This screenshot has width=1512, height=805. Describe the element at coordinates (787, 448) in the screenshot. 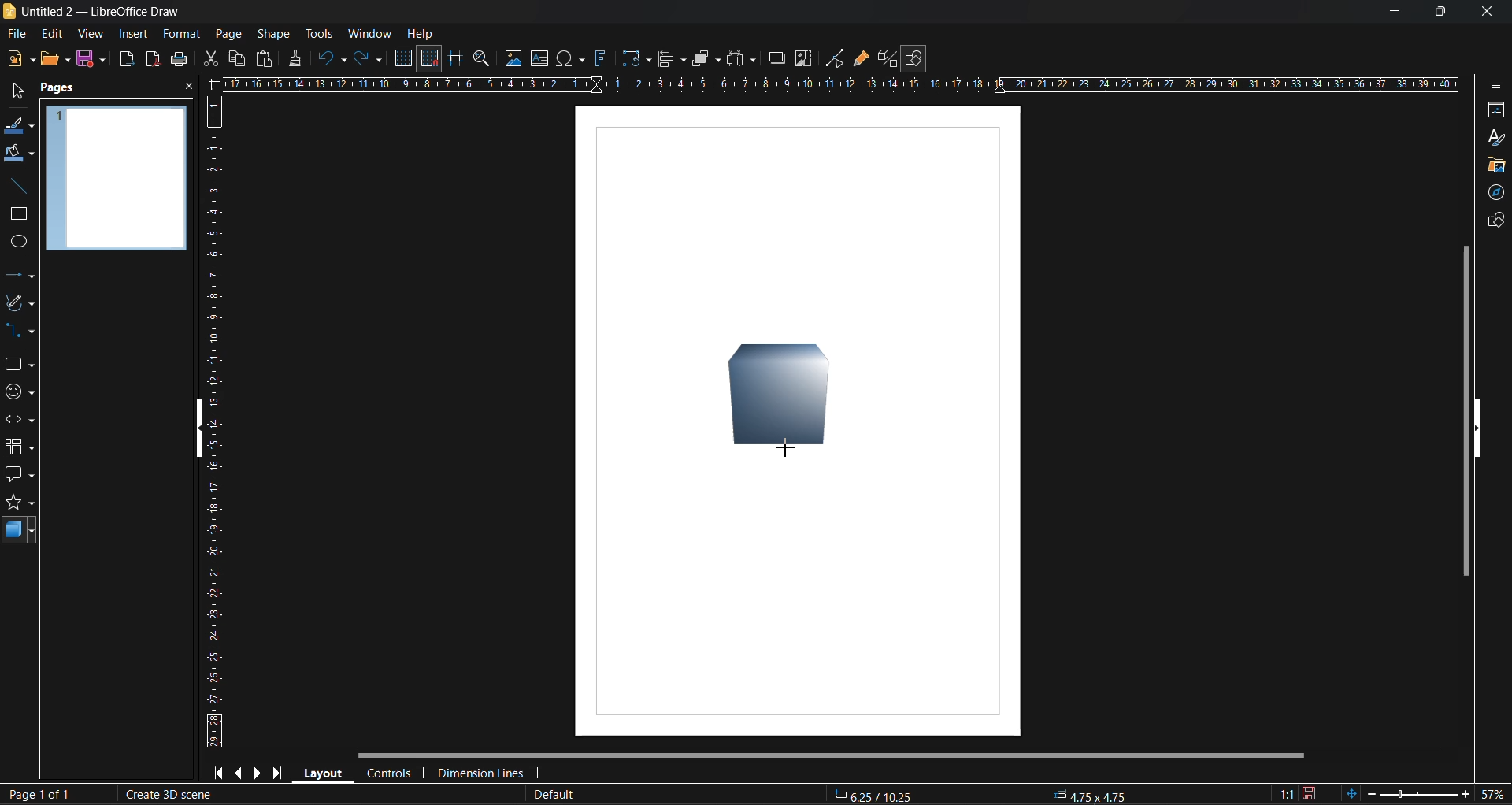

I see `cursor` at that location.